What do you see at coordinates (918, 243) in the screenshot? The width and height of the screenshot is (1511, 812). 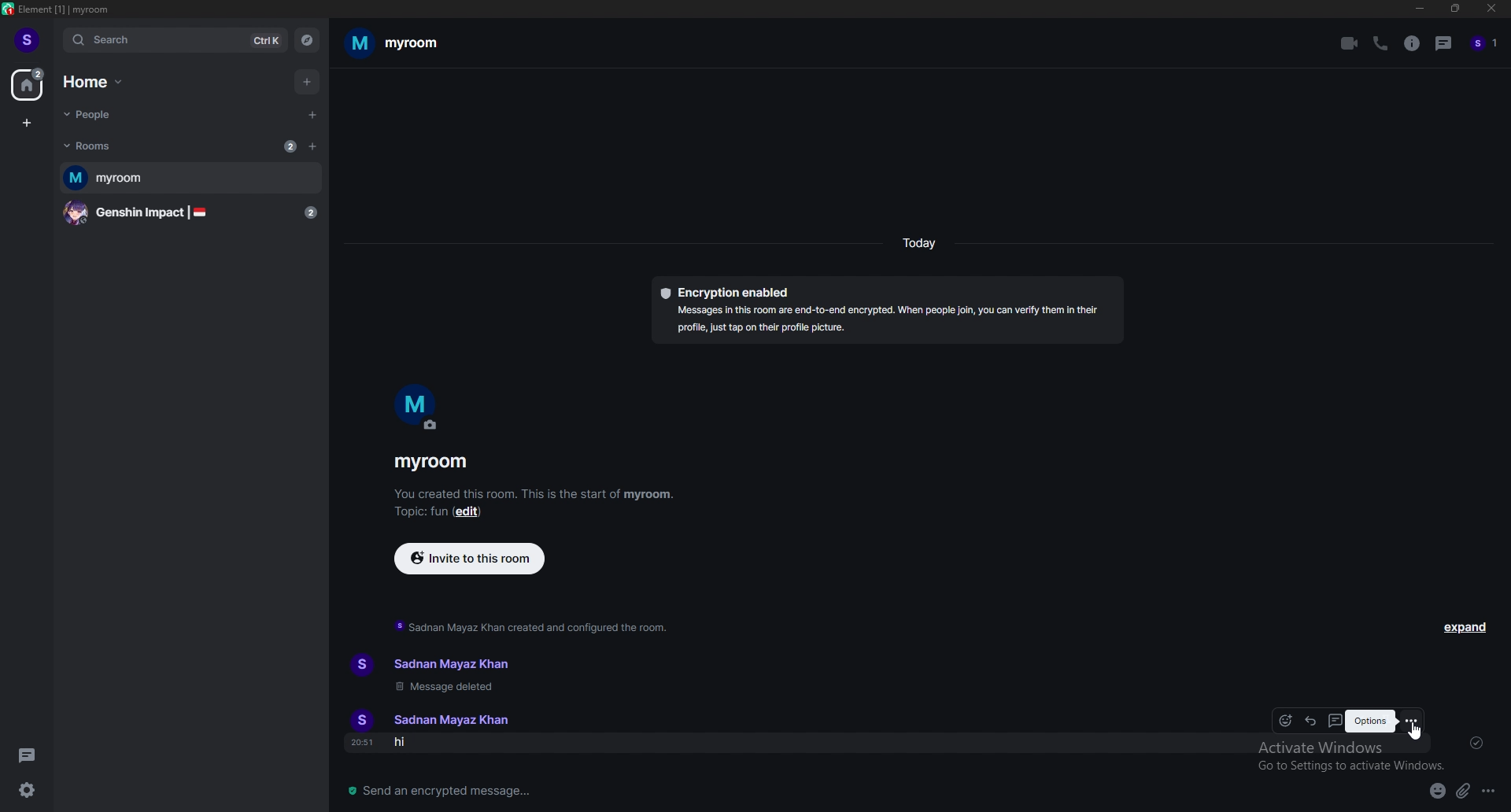 I see `today` at bounding box center [918, 243].